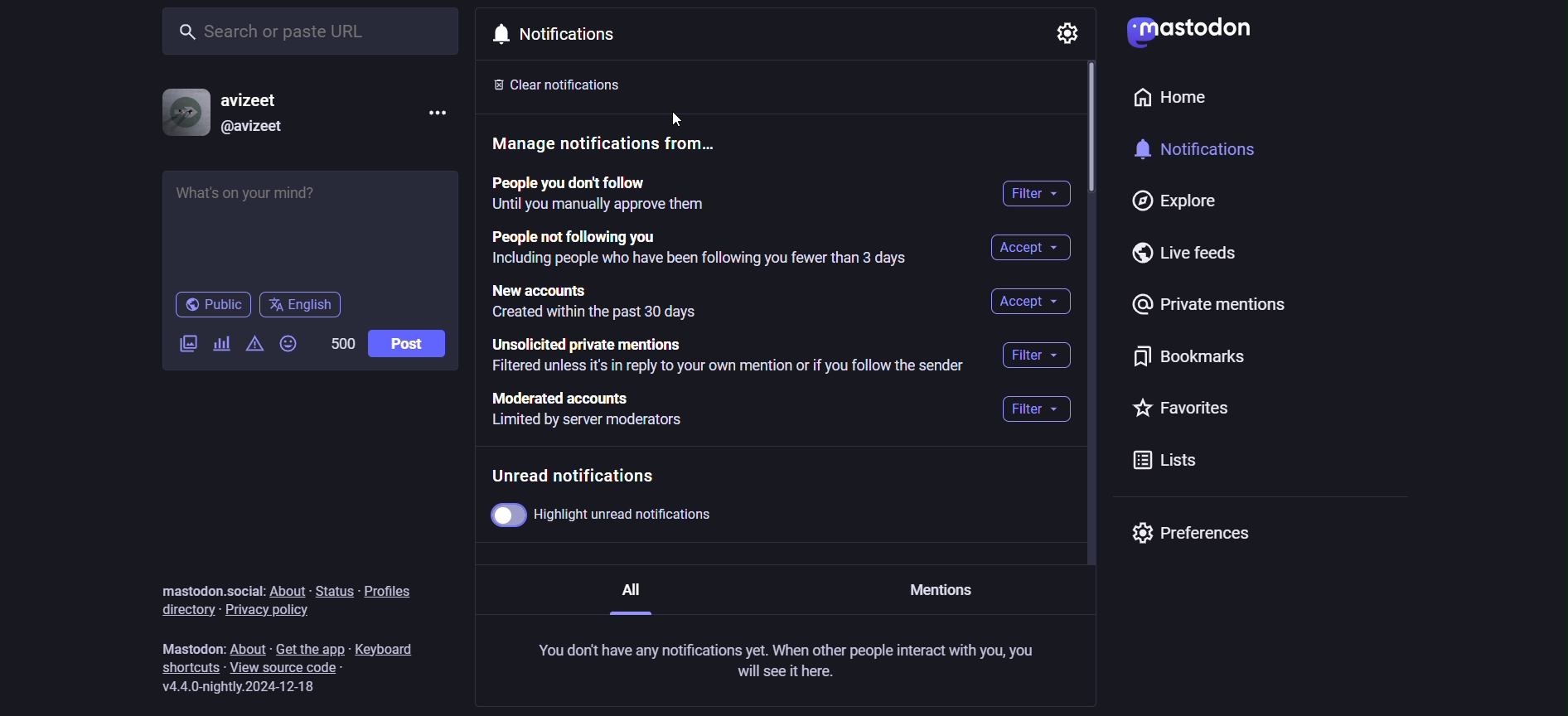 This screenshot has height=716, width=1568. I want to click on favorites, so click(1183, 409).